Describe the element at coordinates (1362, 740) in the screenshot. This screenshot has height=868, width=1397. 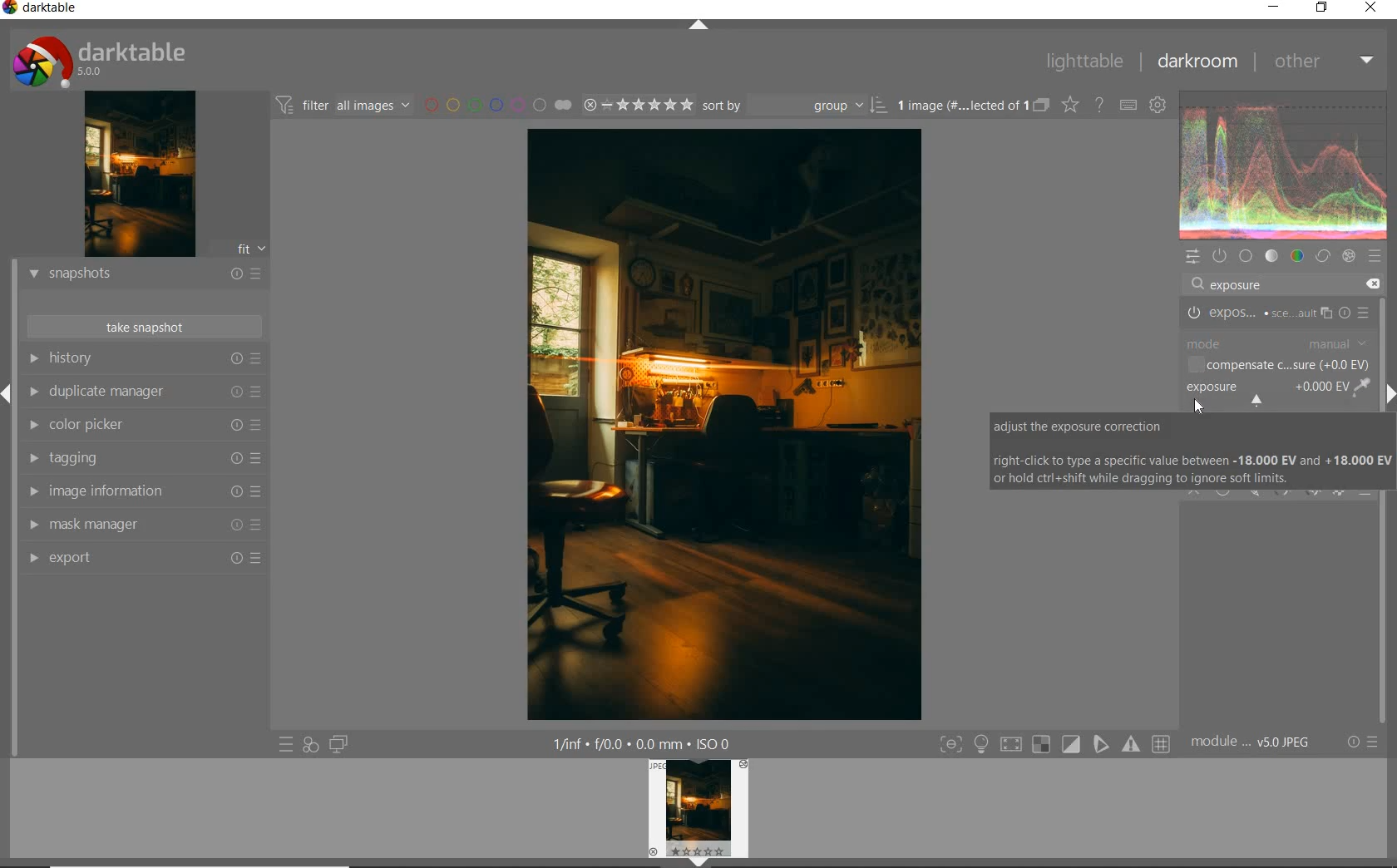
I see `reset or presets & preferences` at that location.